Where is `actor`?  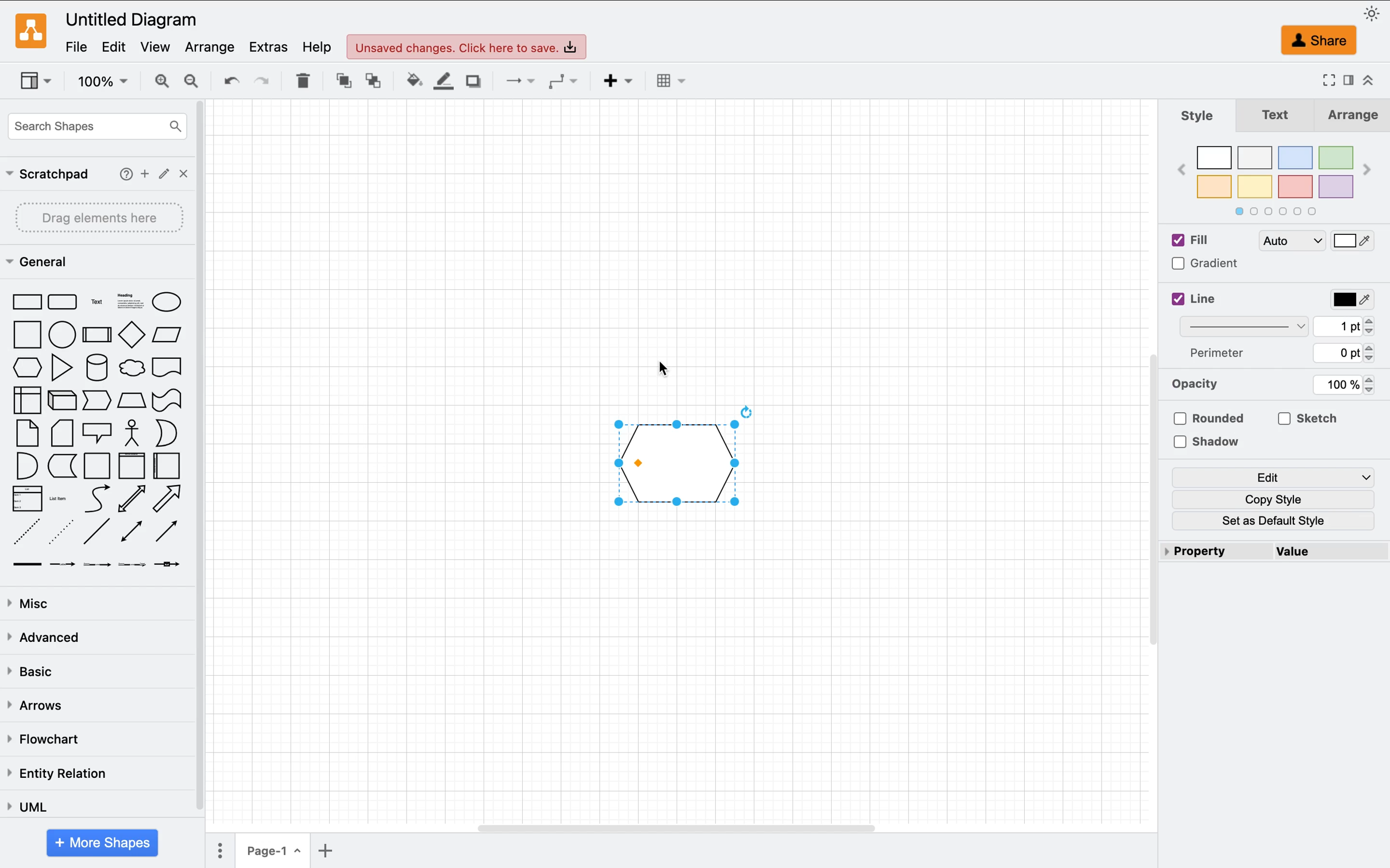
actor is located at coordinates (134, 433).